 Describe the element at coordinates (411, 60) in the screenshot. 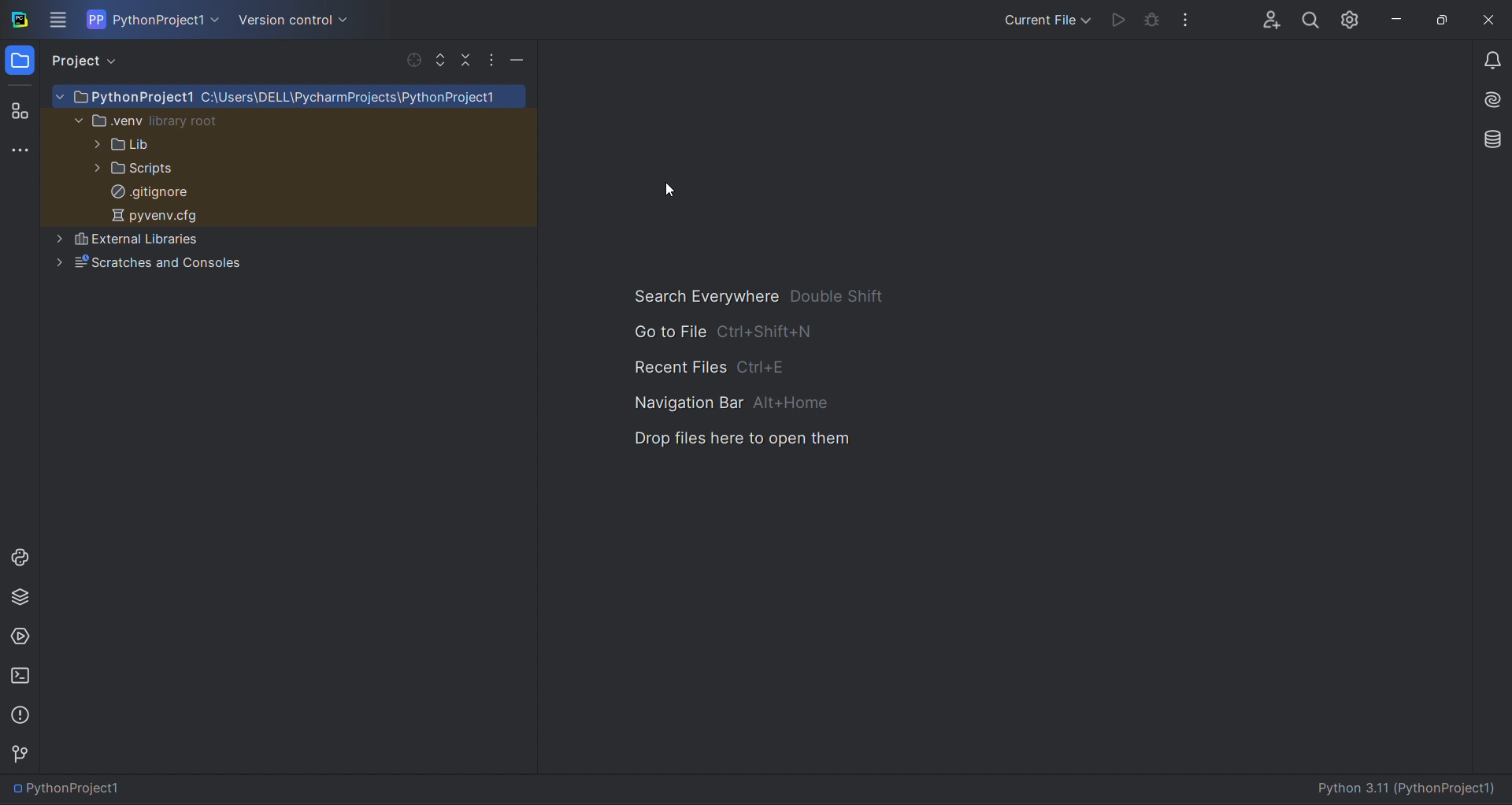

I see `show file` at that location.